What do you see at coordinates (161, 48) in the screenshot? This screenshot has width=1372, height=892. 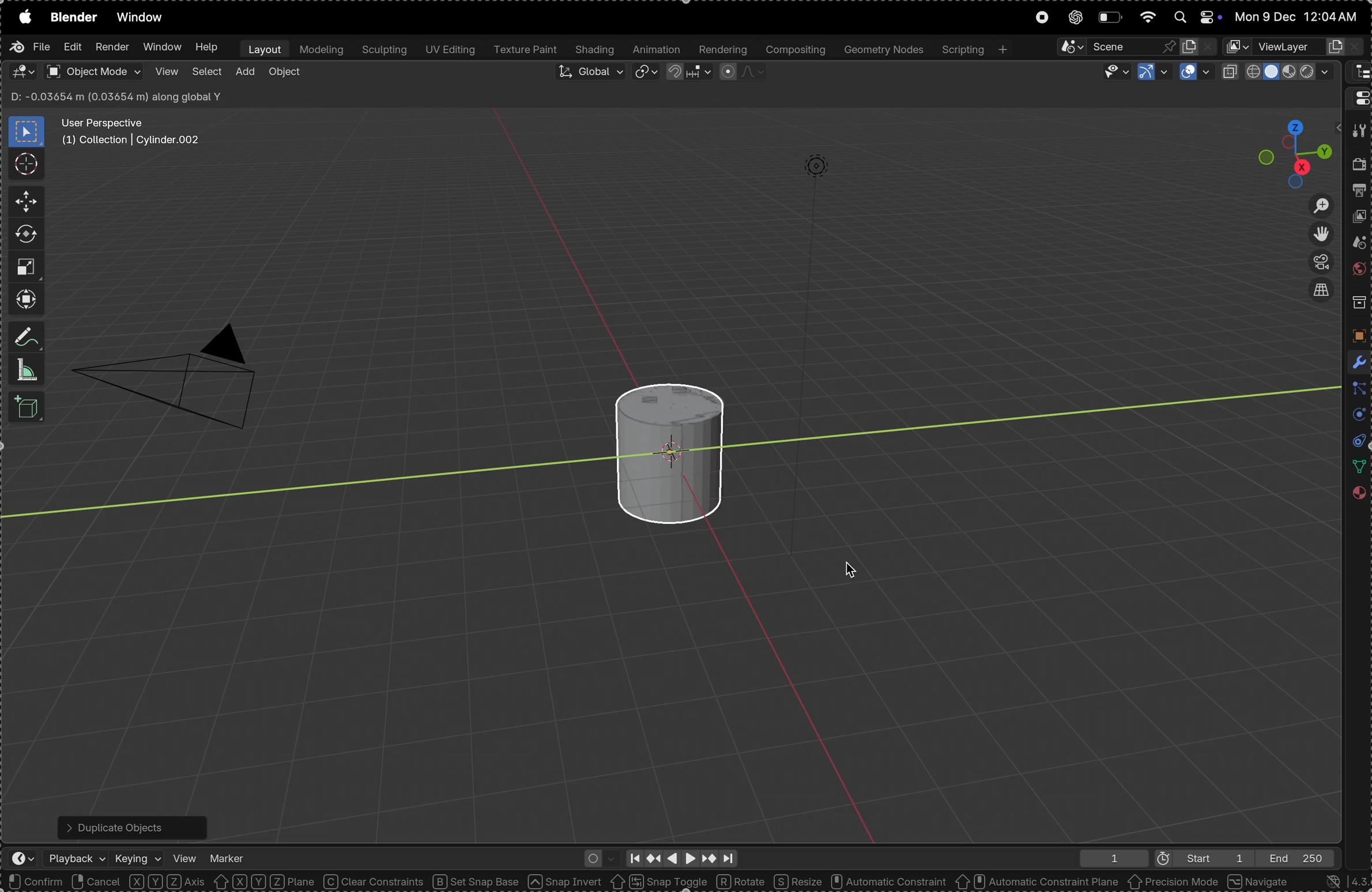 I see `Window` at bounding box center [161, 48].